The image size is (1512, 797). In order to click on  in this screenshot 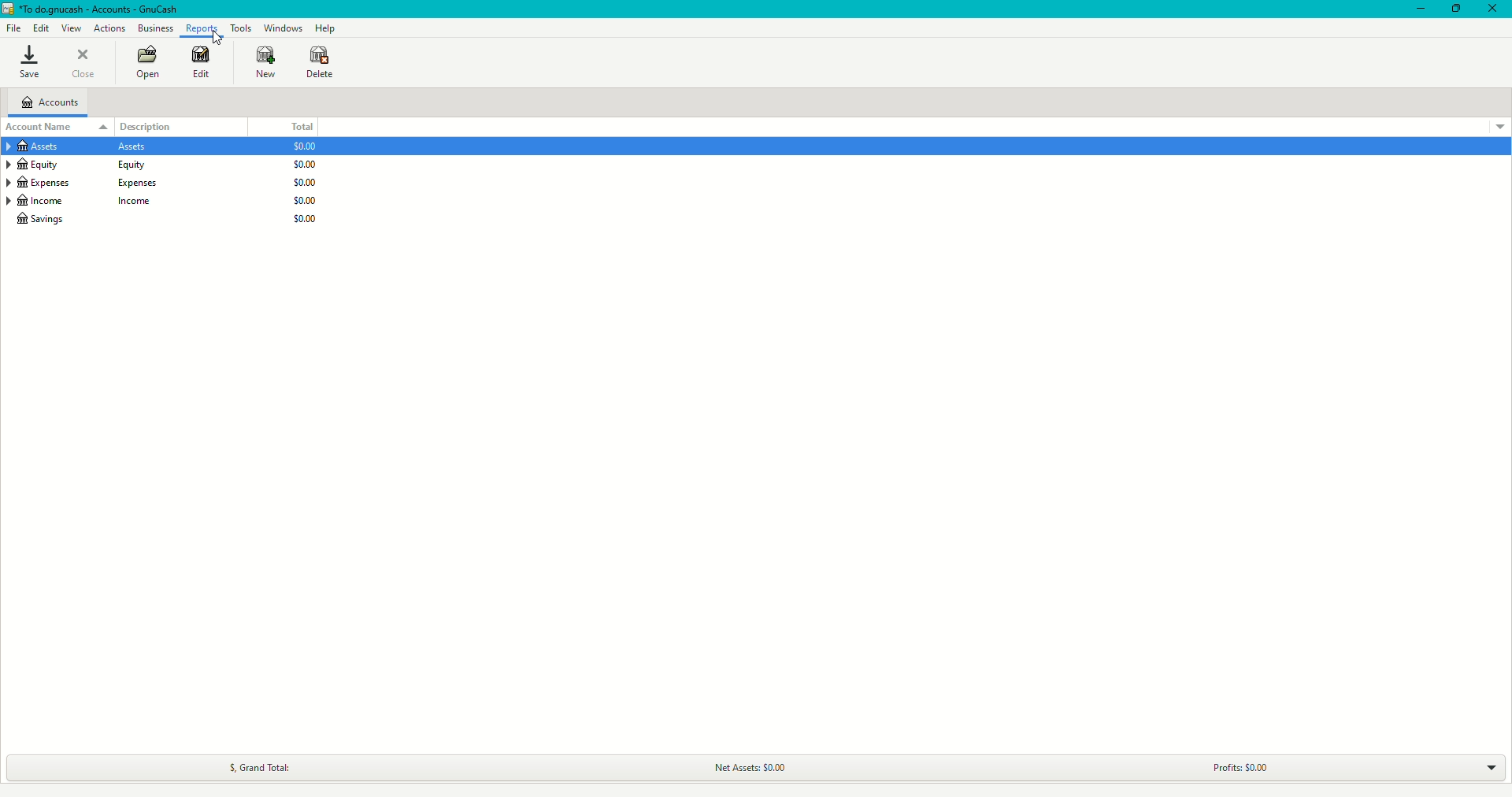, I will do `click(78, 147)`.